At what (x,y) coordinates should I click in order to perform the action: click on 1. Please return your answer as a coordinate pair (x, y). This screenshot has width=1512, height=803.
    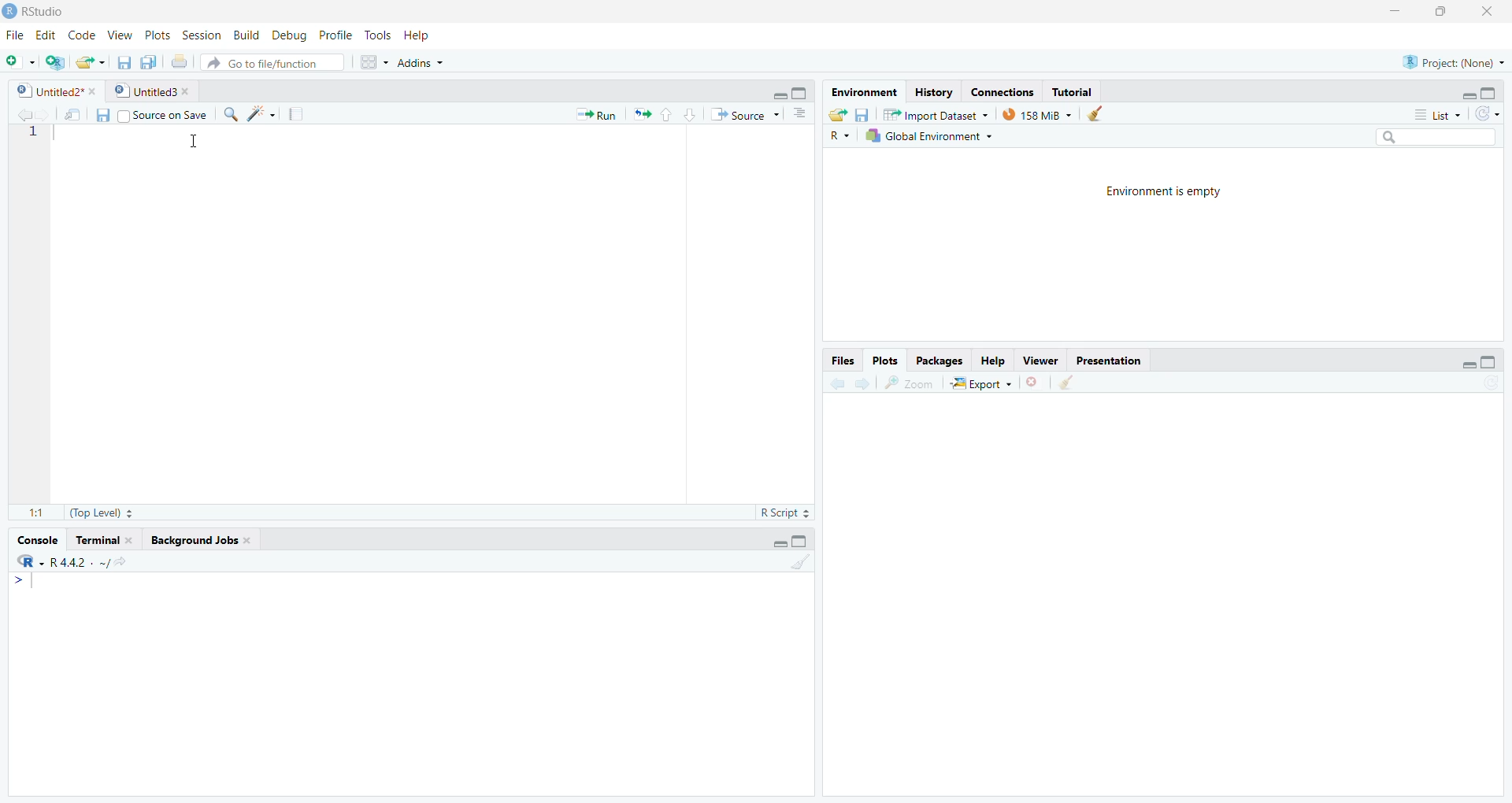
    Looking at the image, I should click on (787, 561).